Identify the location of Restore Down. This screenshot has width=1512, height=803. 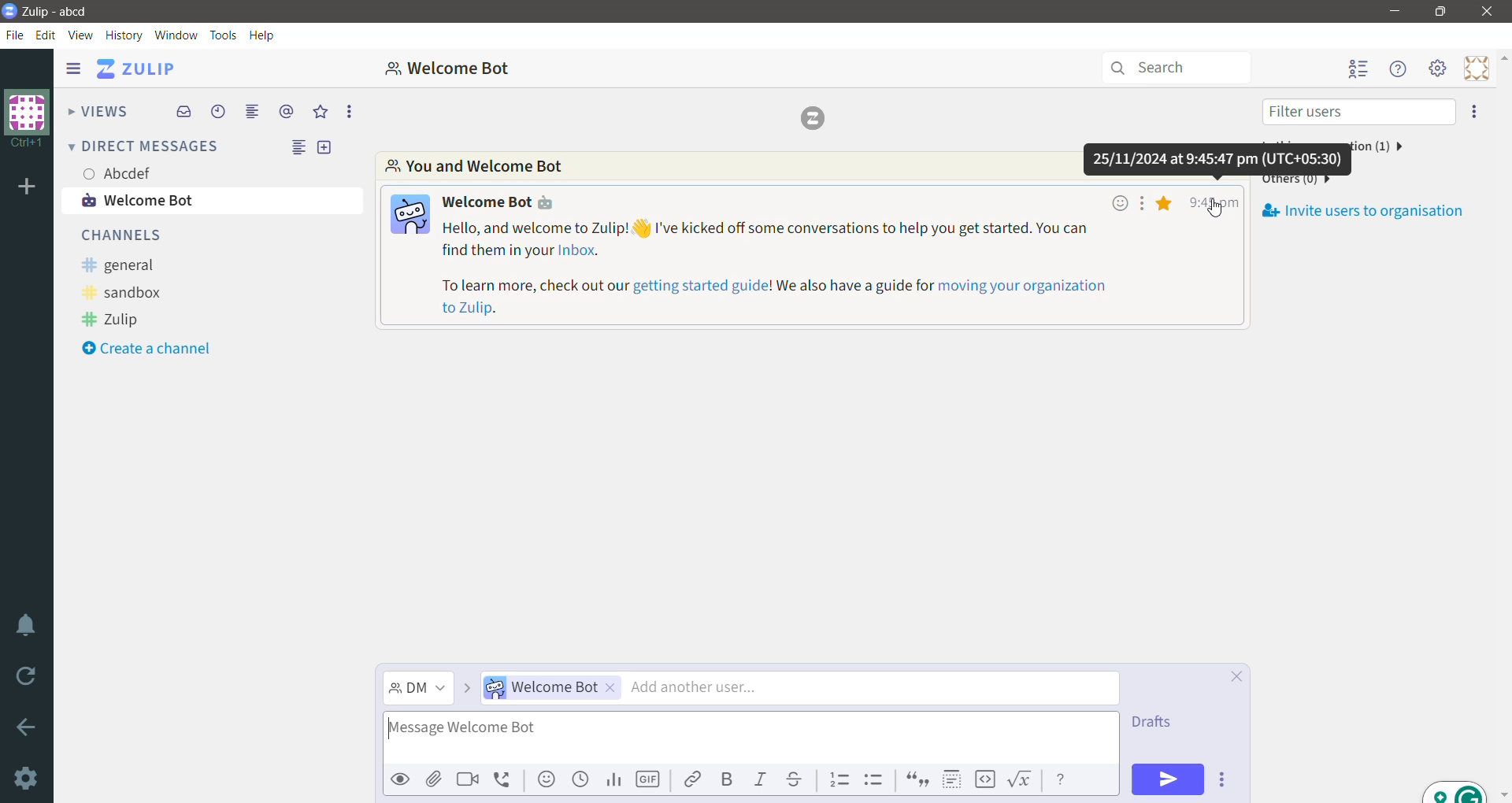
(1440, 12).